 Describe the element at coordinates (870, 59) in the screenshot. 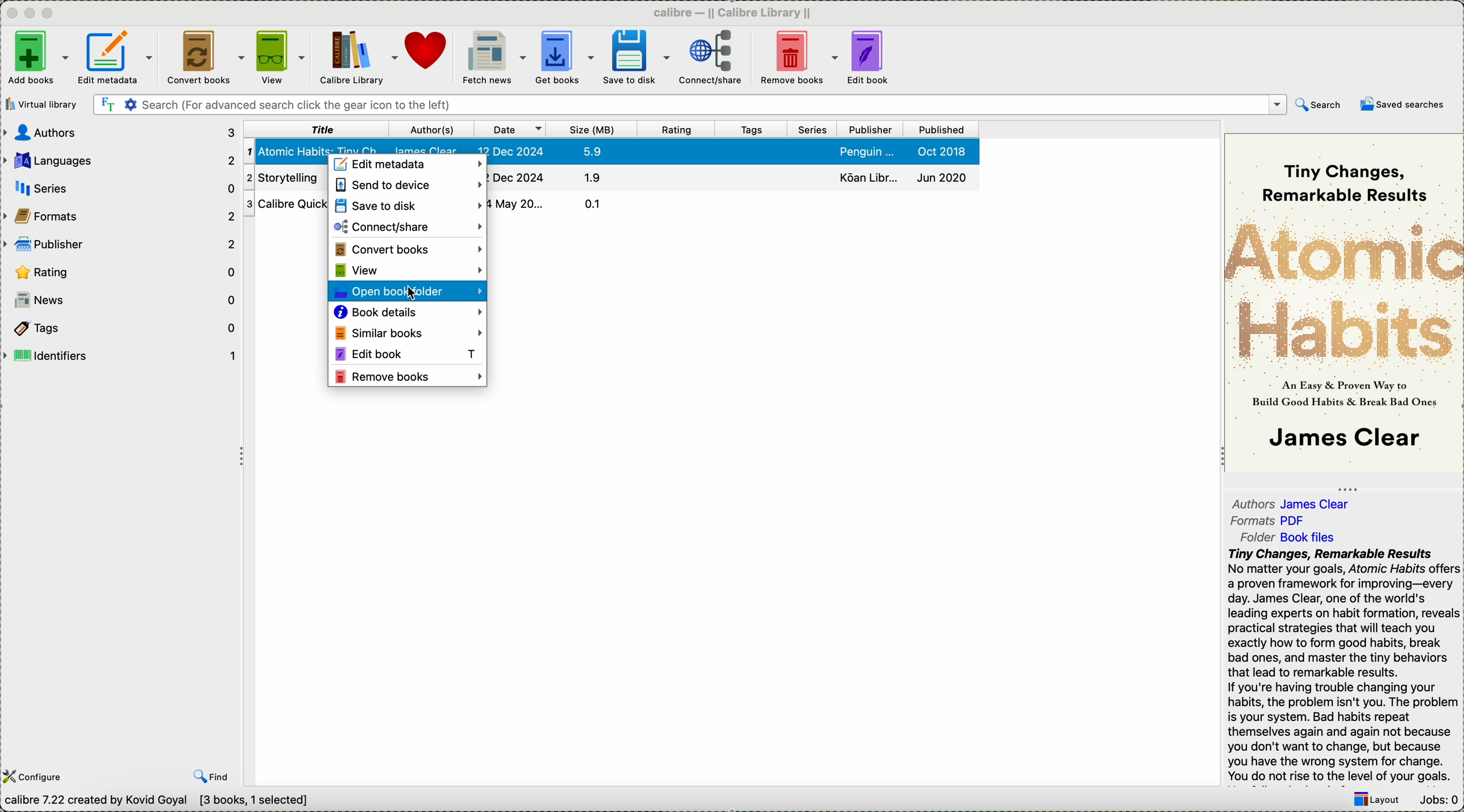

I see `edit book` at that location.